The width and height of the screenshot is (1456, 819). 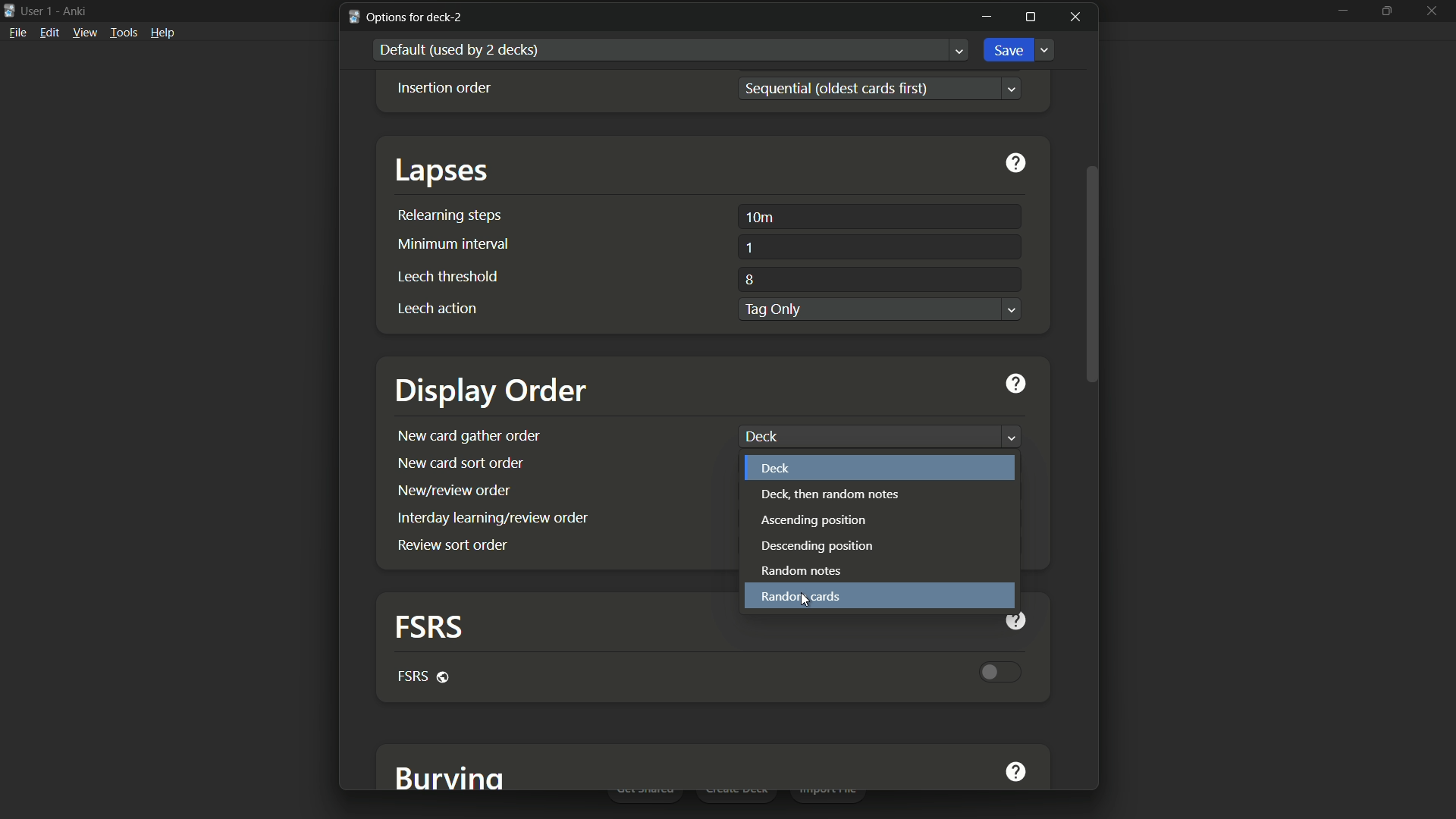 I want to click on Dropdown, so click(x=960, y=50).